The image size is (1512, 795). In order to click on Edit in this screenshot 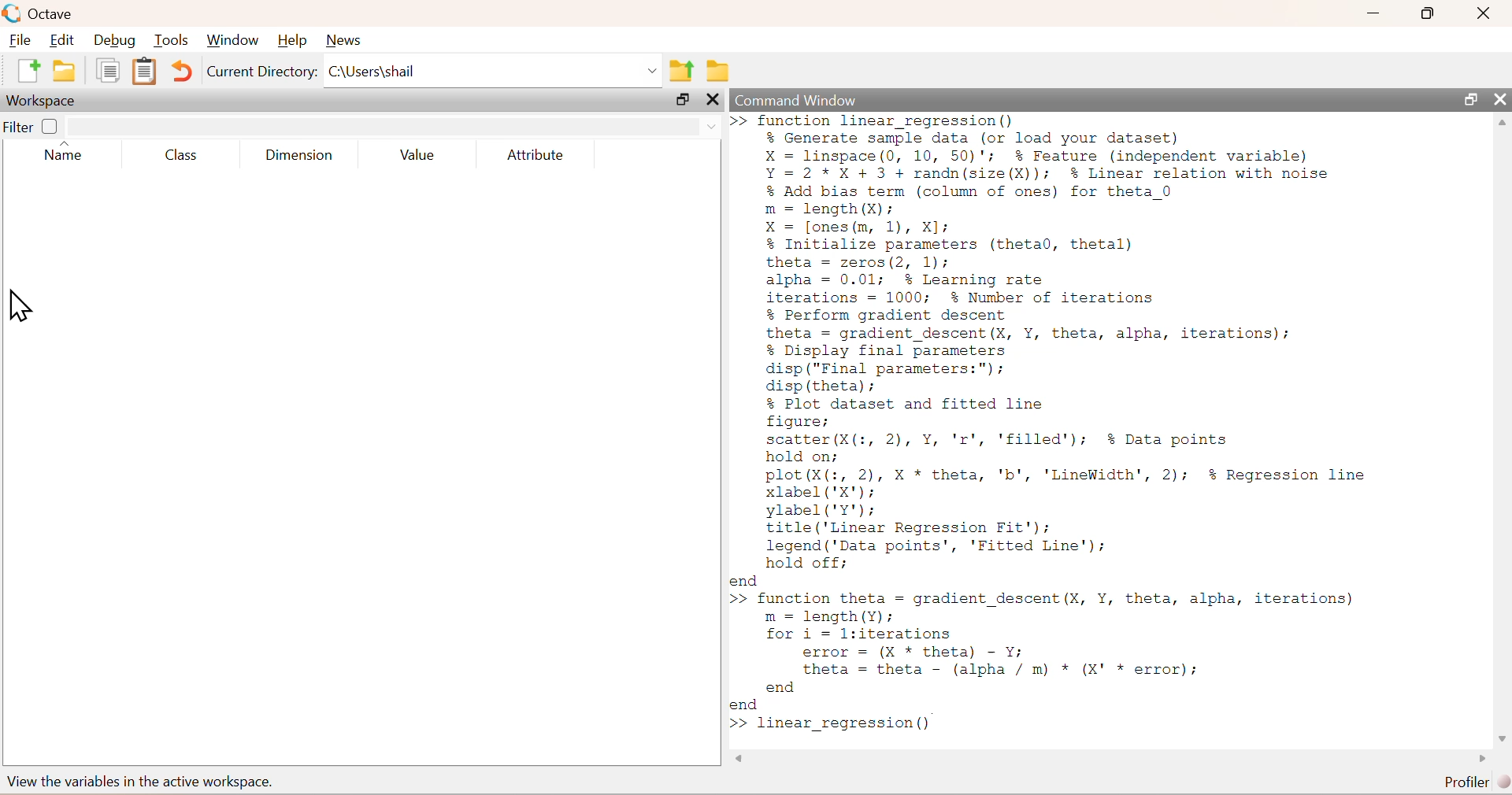, I will do `click(64, 40)`.